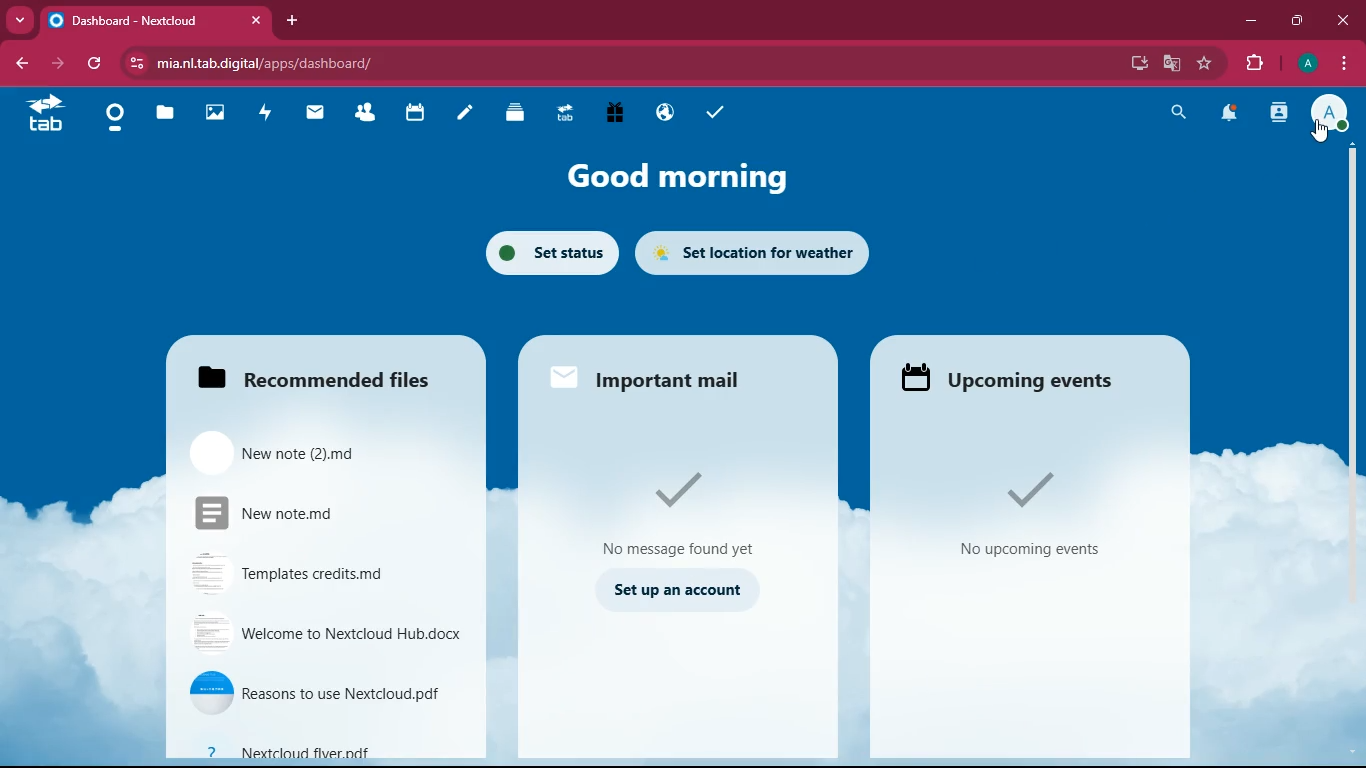  I want to click on New note(2).md, so click(295, 454).